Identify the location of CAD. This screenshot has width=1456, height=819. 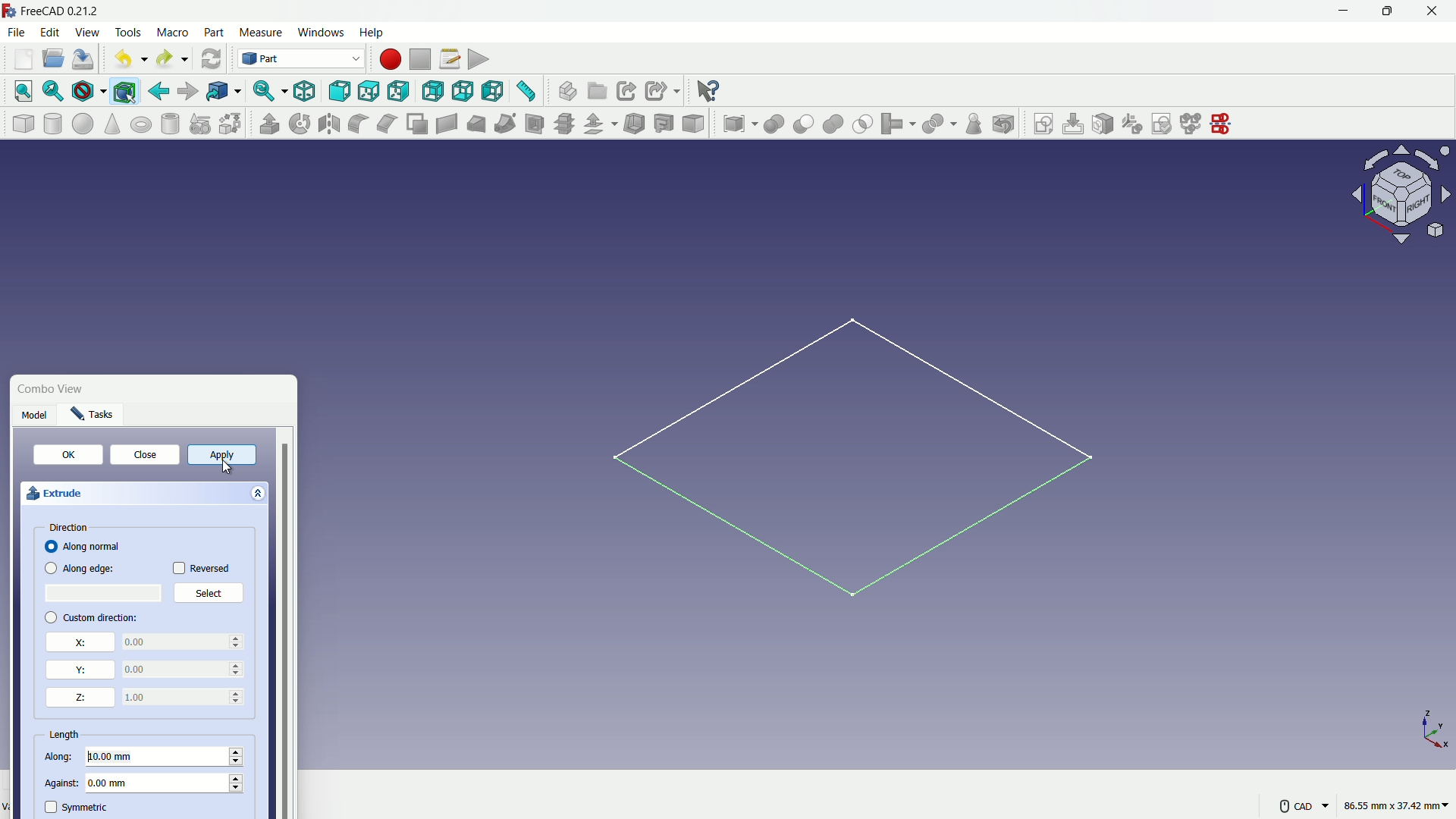
(1304, 805).